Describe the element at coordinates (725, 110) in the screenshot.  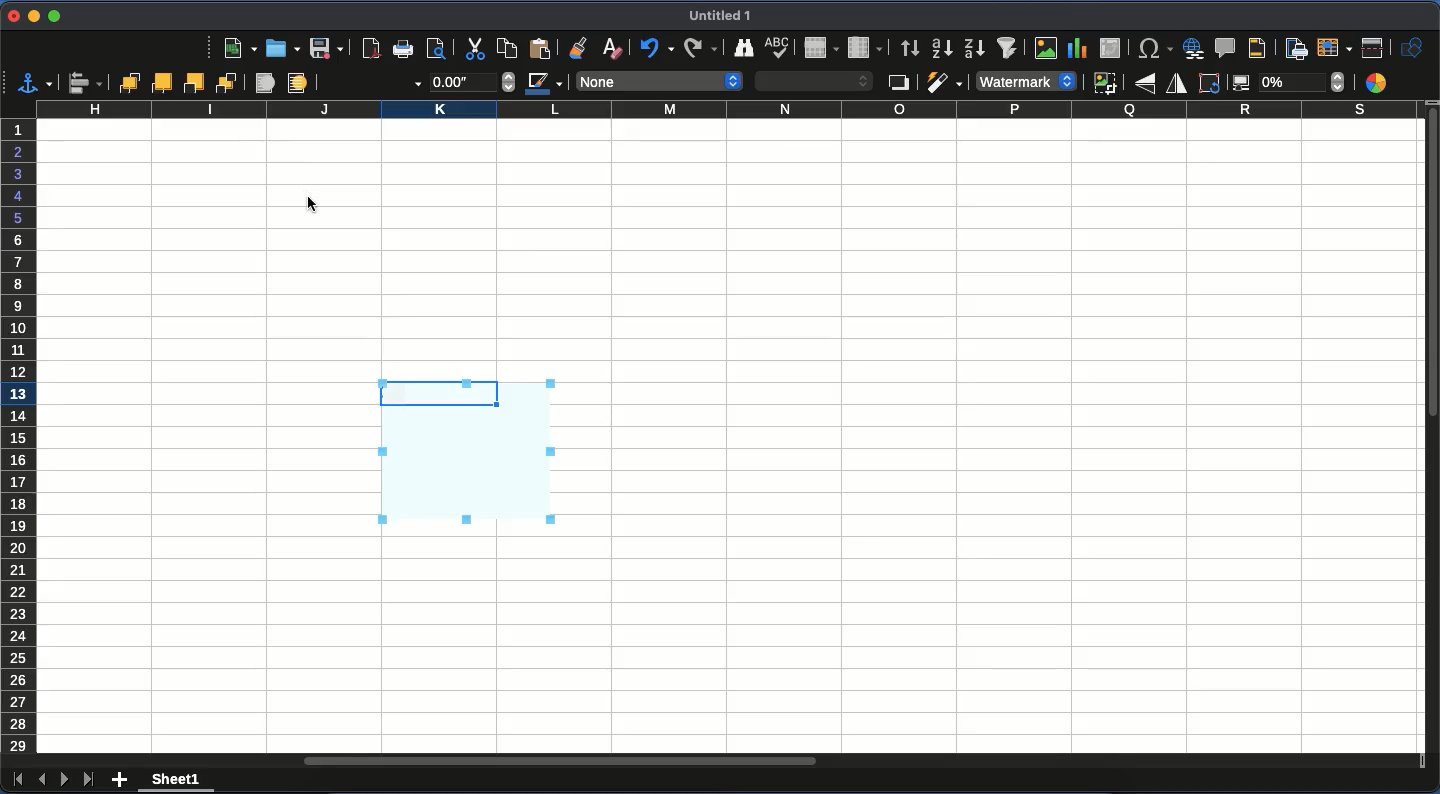
I see `column` at that location.